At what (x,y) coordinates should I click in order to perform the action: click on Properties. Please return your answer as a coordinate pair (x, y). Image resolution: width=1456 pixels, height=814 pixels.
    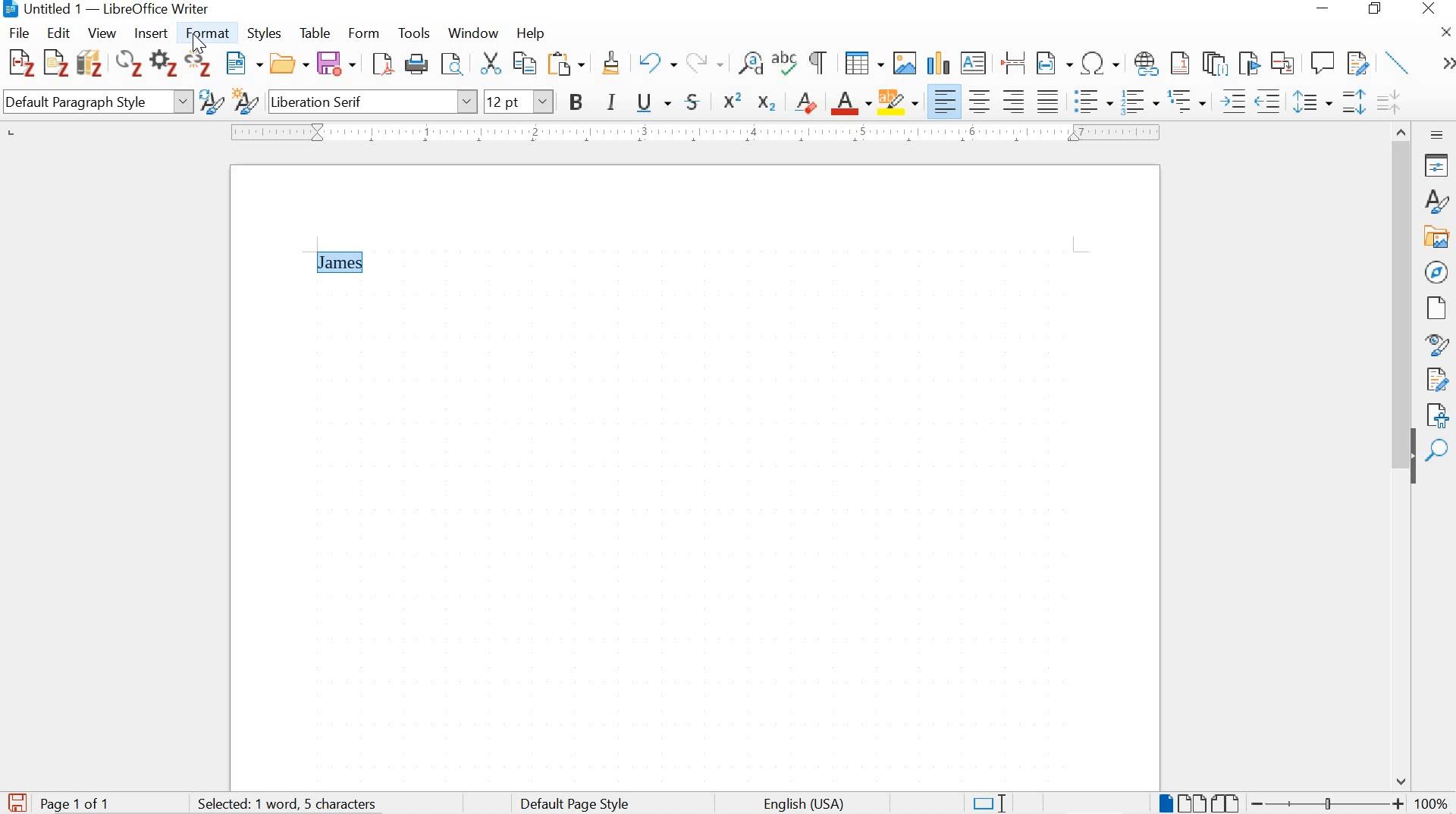
    Looking at the image, I should click on (1439, 165).